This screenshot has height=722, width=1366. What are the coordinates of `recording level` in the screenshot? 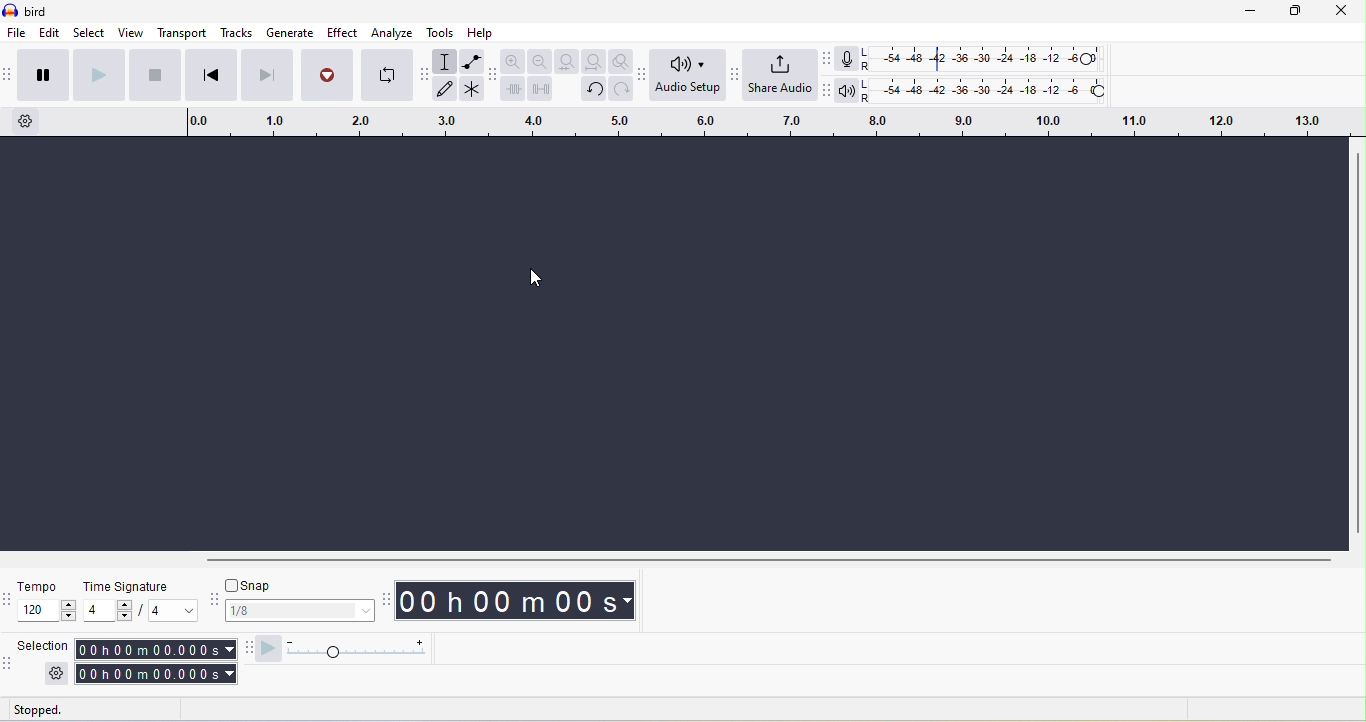 It's located at (990, 59).